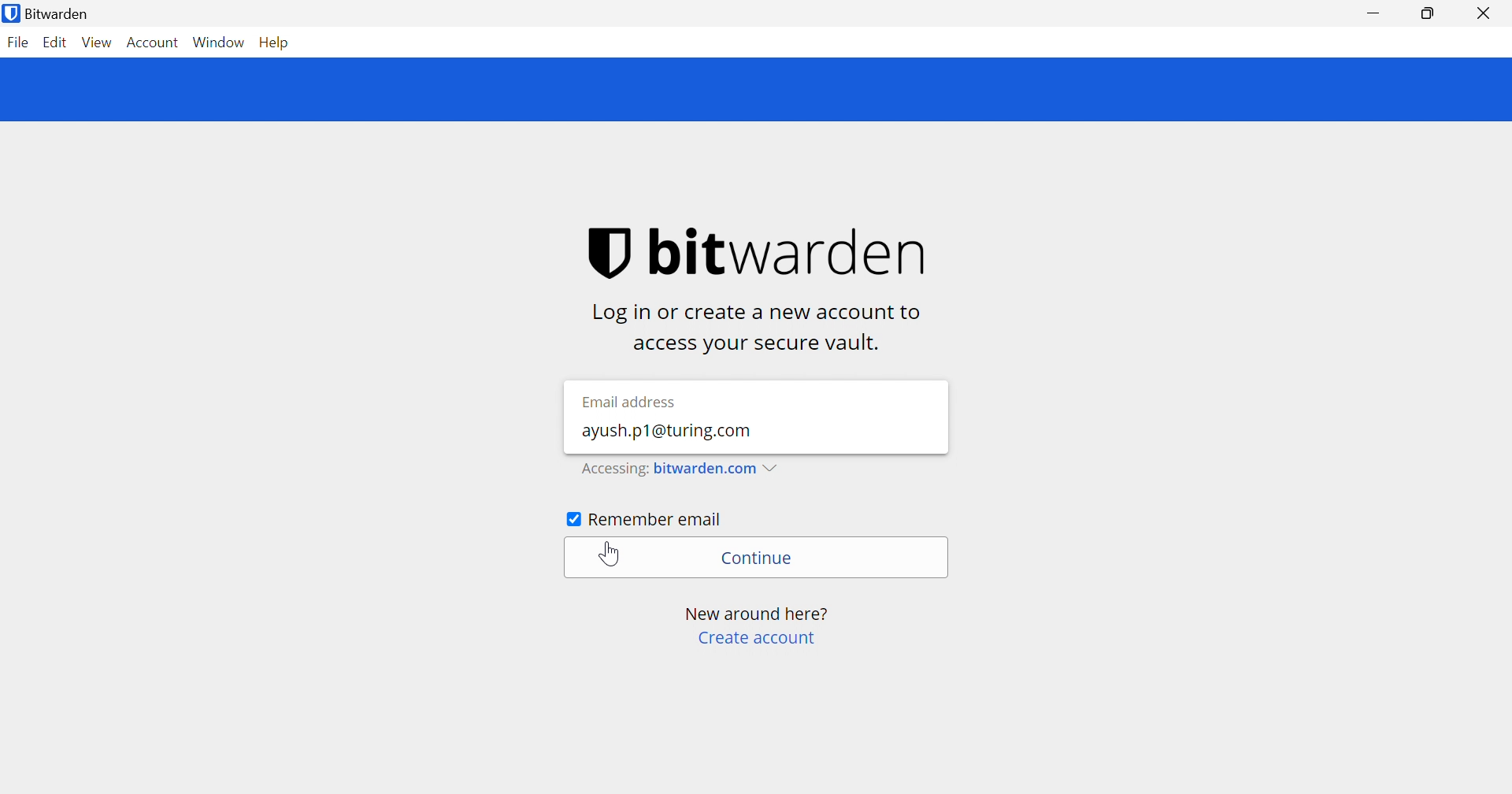 The height and width of the screenshot is (794, 1512). Describe the element at coordinates (762, 313) in the screenshot. I see `Log in or create a new account to` at that location.